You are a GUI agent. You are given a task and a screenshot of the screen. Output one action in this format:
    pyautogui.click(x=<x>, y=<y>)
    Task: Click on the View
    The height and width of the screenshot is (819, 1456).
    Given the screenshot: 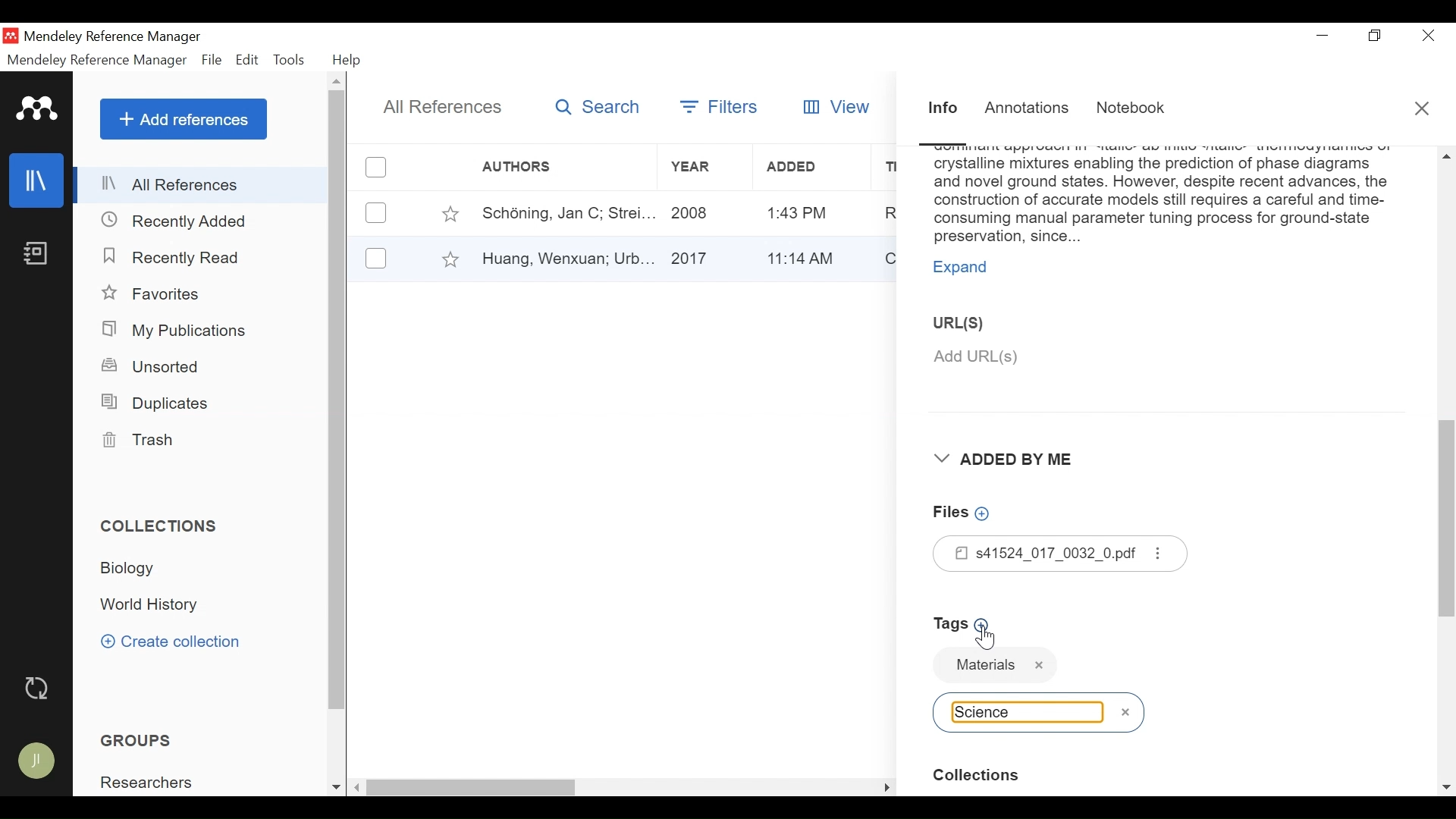 What is the action you would take?
    pyautogui.click(x=838, y=105)
    